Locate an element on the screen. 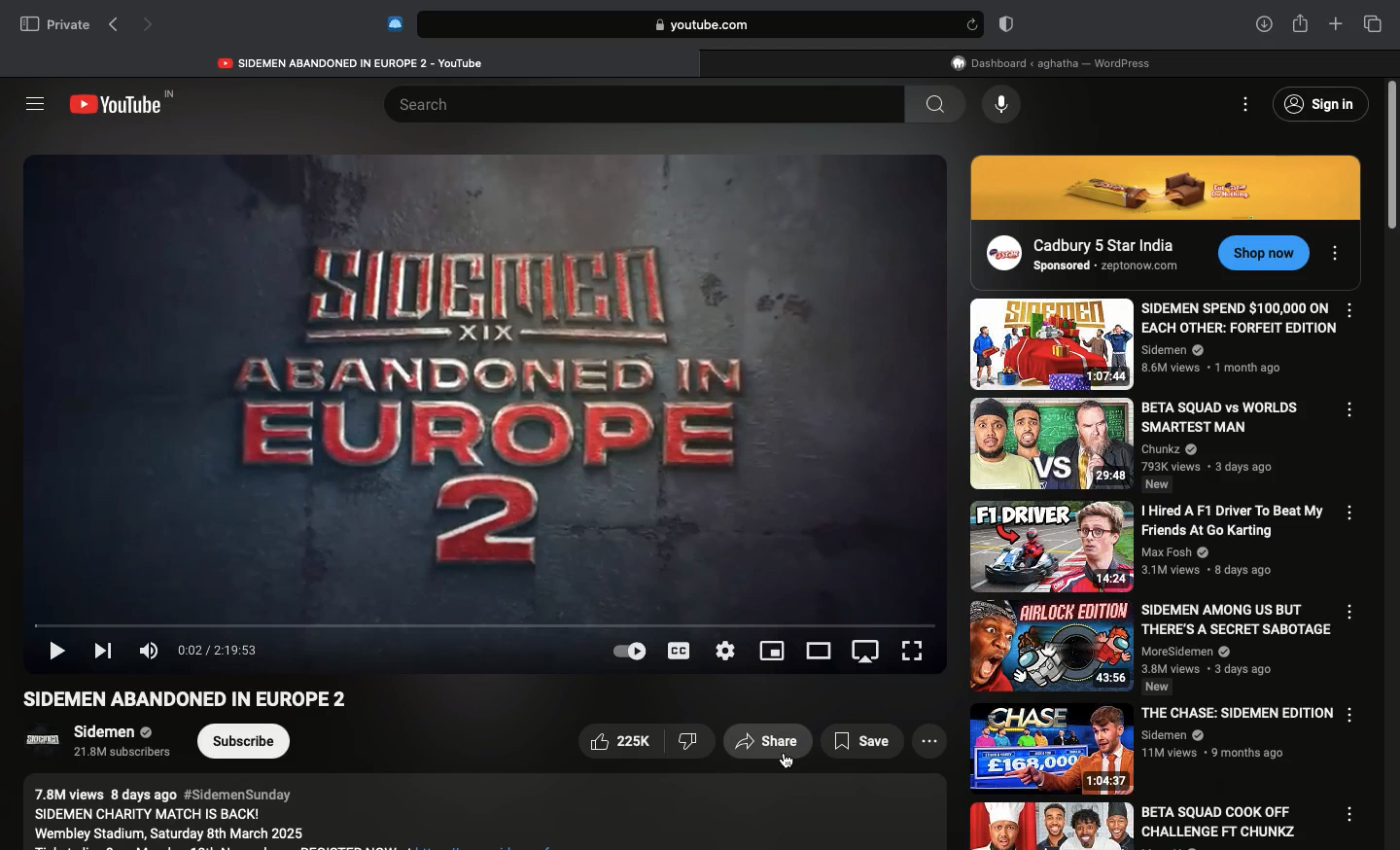  Options is located at coordinates (1355, 614).